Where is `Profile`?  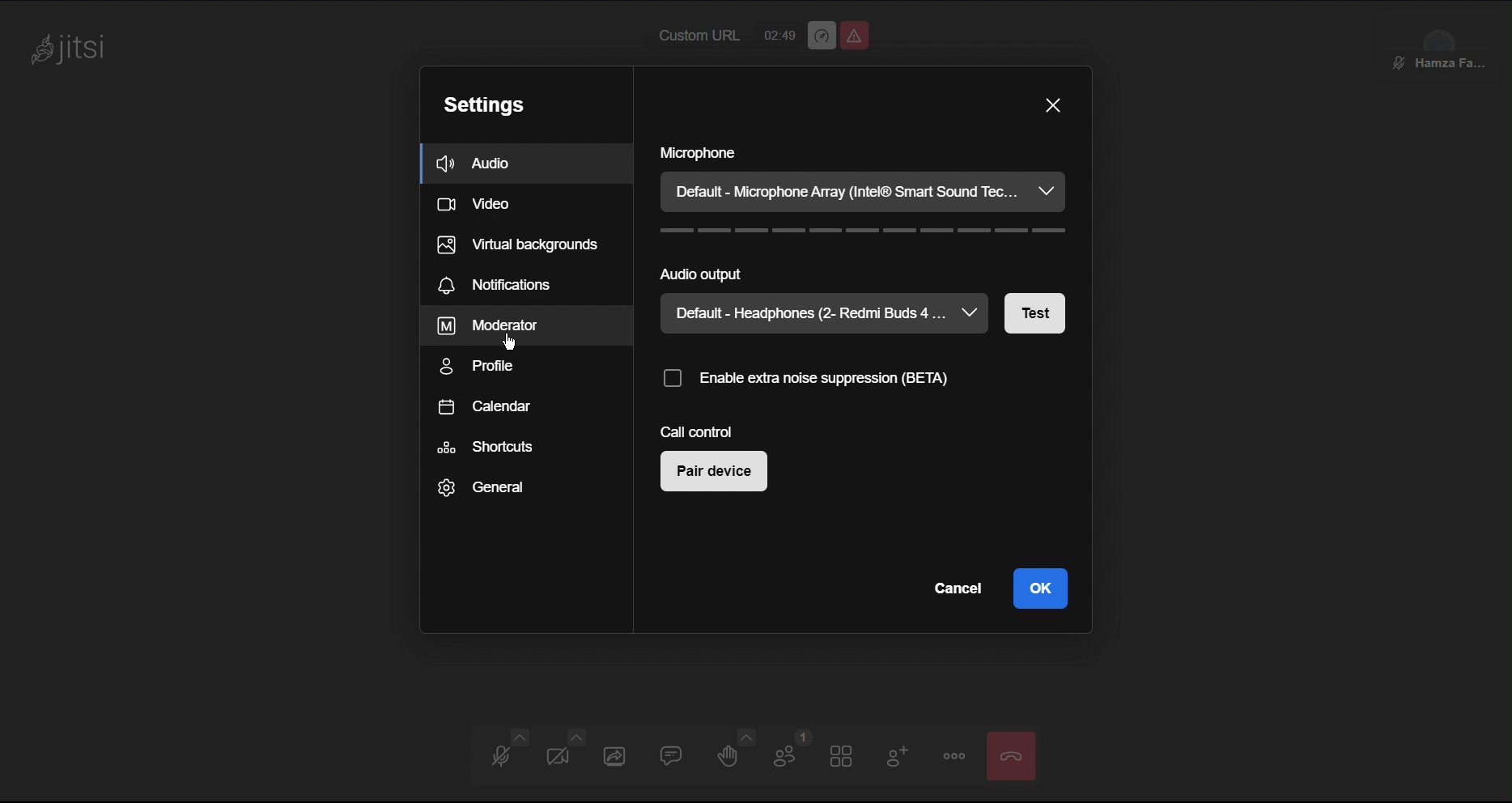
Profile is located at coordinates (483, 367).